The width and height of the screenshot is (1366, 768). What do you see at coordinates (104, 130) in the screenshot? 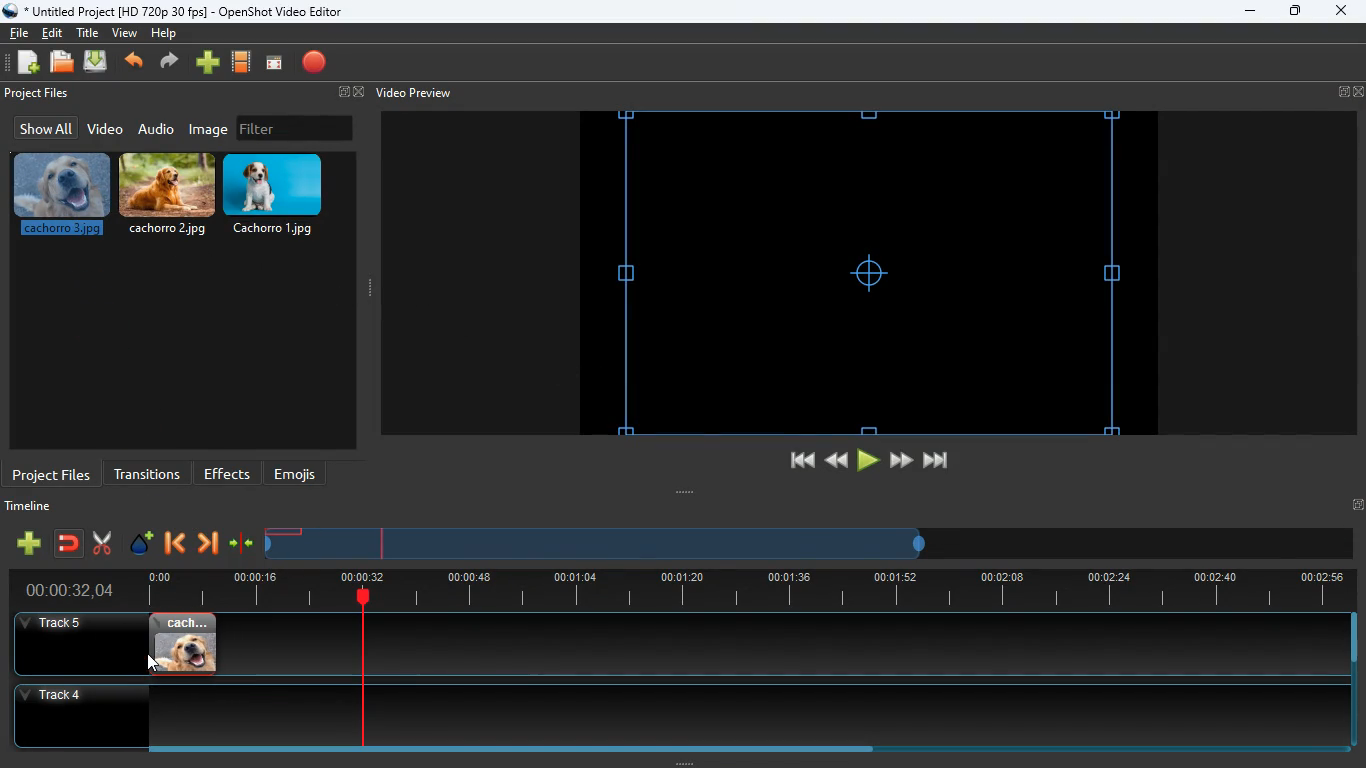
I see `video` at bounding box center [104, 130].